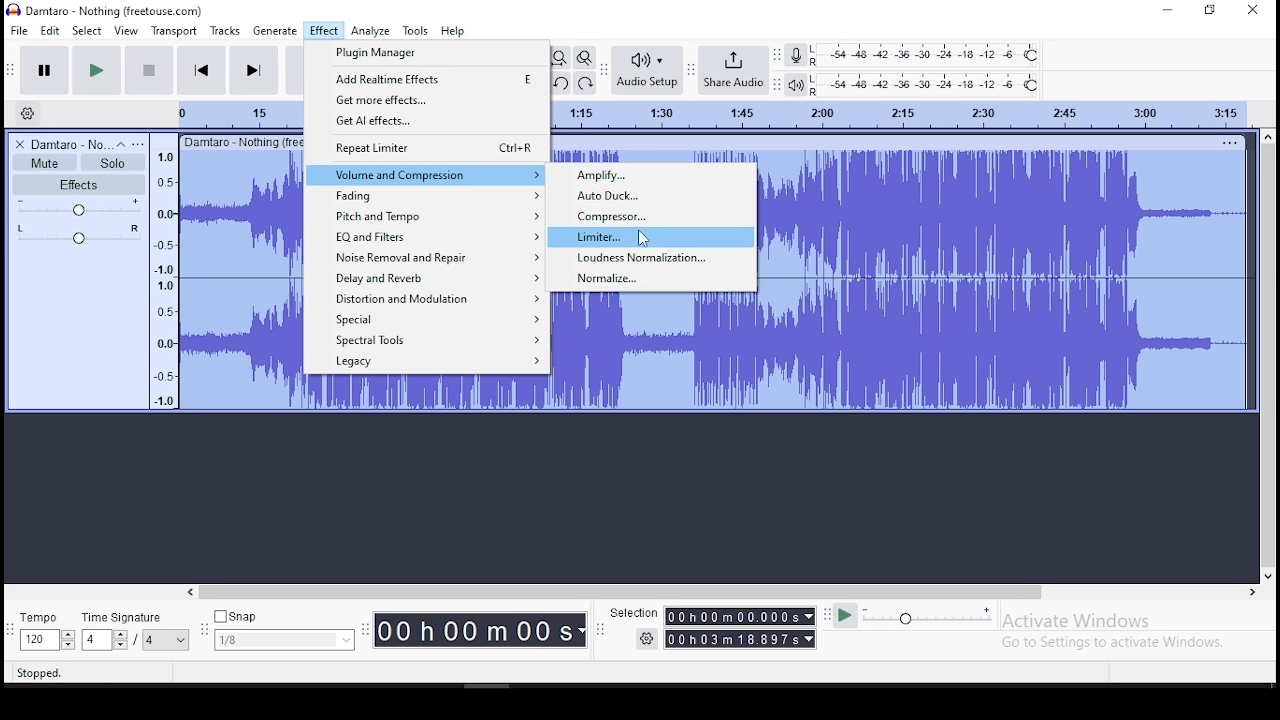 This screenshot has width=1280, height=720. I want to click on generate, so click(274, 30).